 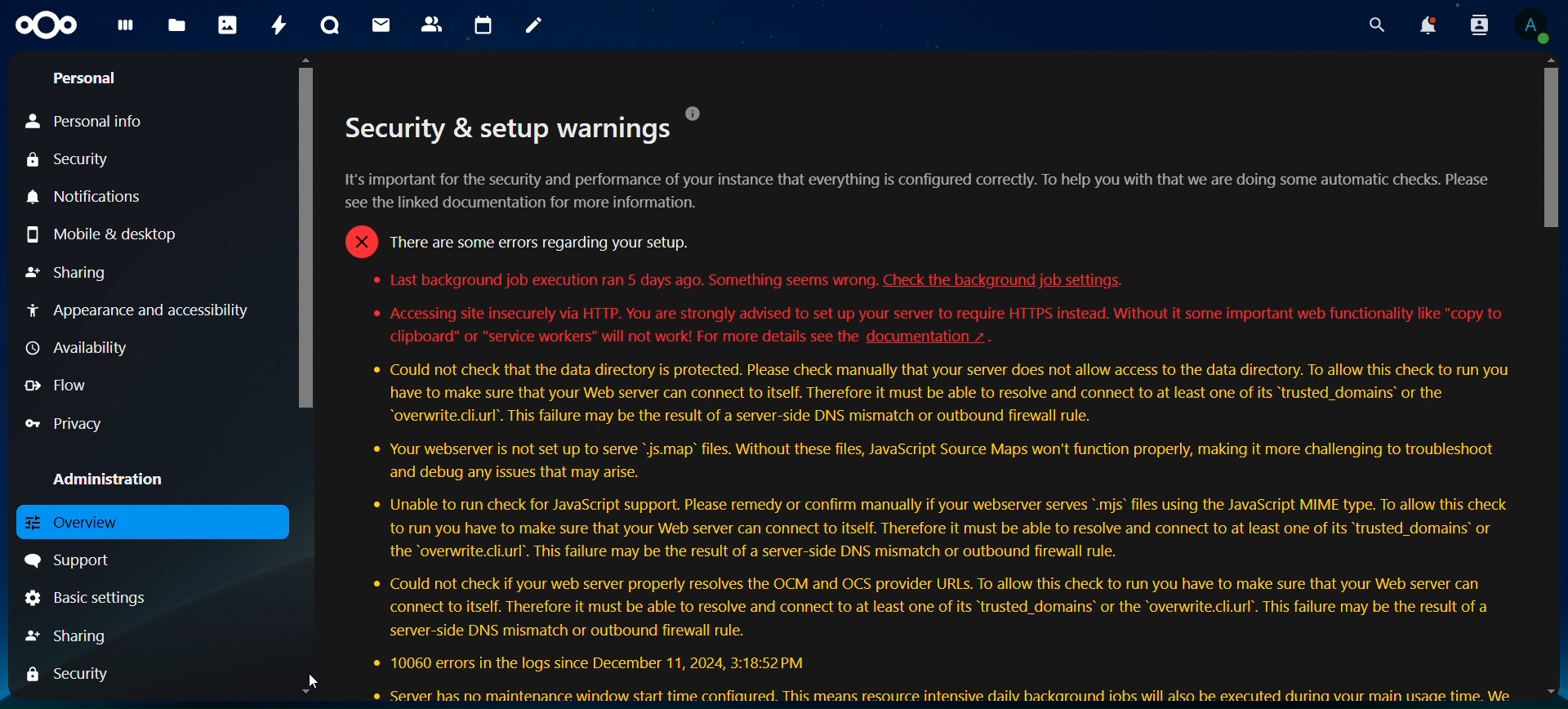 What do you see at coordinates (1429, 26) in the screenshot?
I see `notoifications` at bounding box center [1429, 26].